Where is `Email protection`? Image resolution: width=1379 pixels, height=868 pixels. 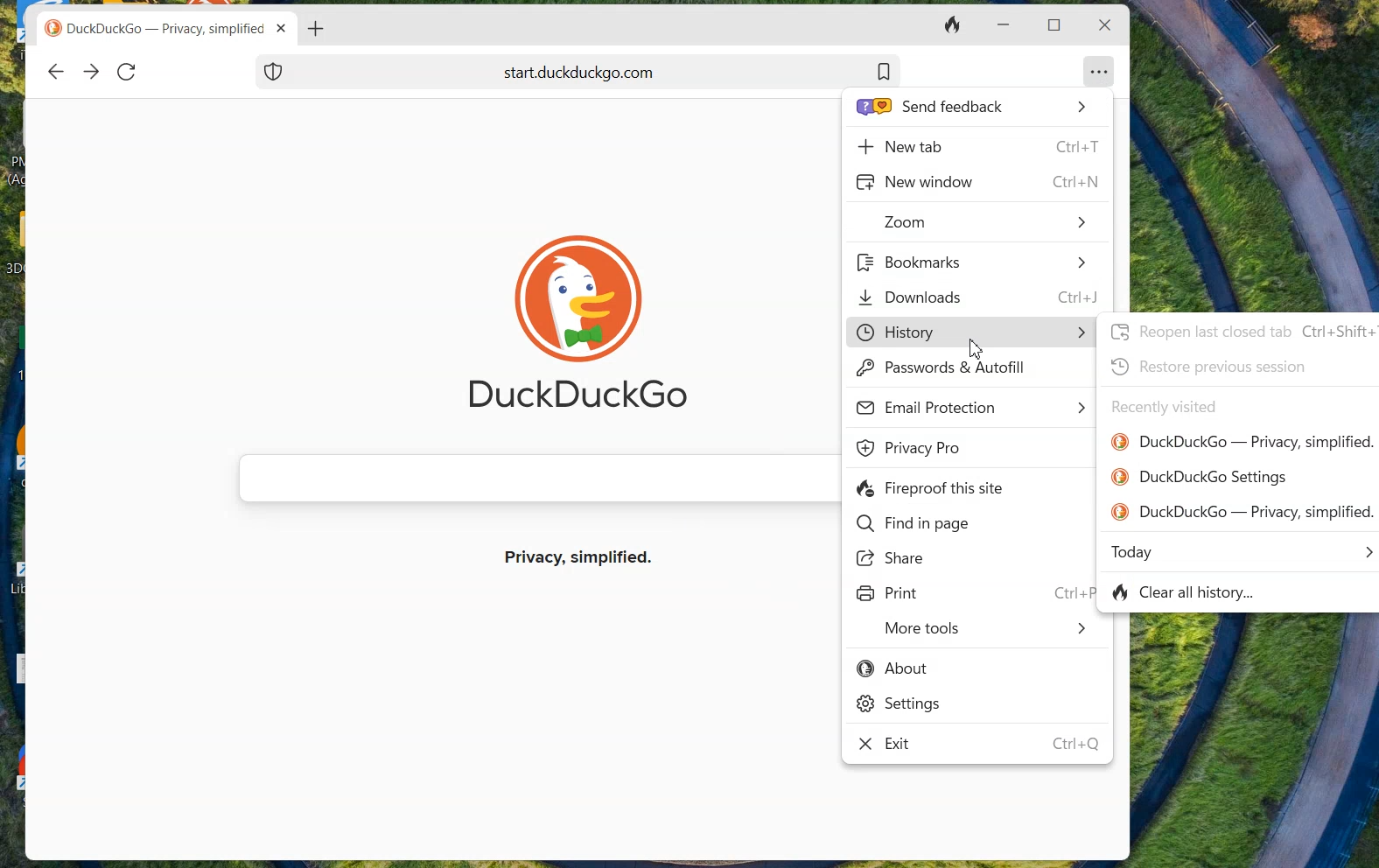
Email protection is located at coordinates (972, 407).